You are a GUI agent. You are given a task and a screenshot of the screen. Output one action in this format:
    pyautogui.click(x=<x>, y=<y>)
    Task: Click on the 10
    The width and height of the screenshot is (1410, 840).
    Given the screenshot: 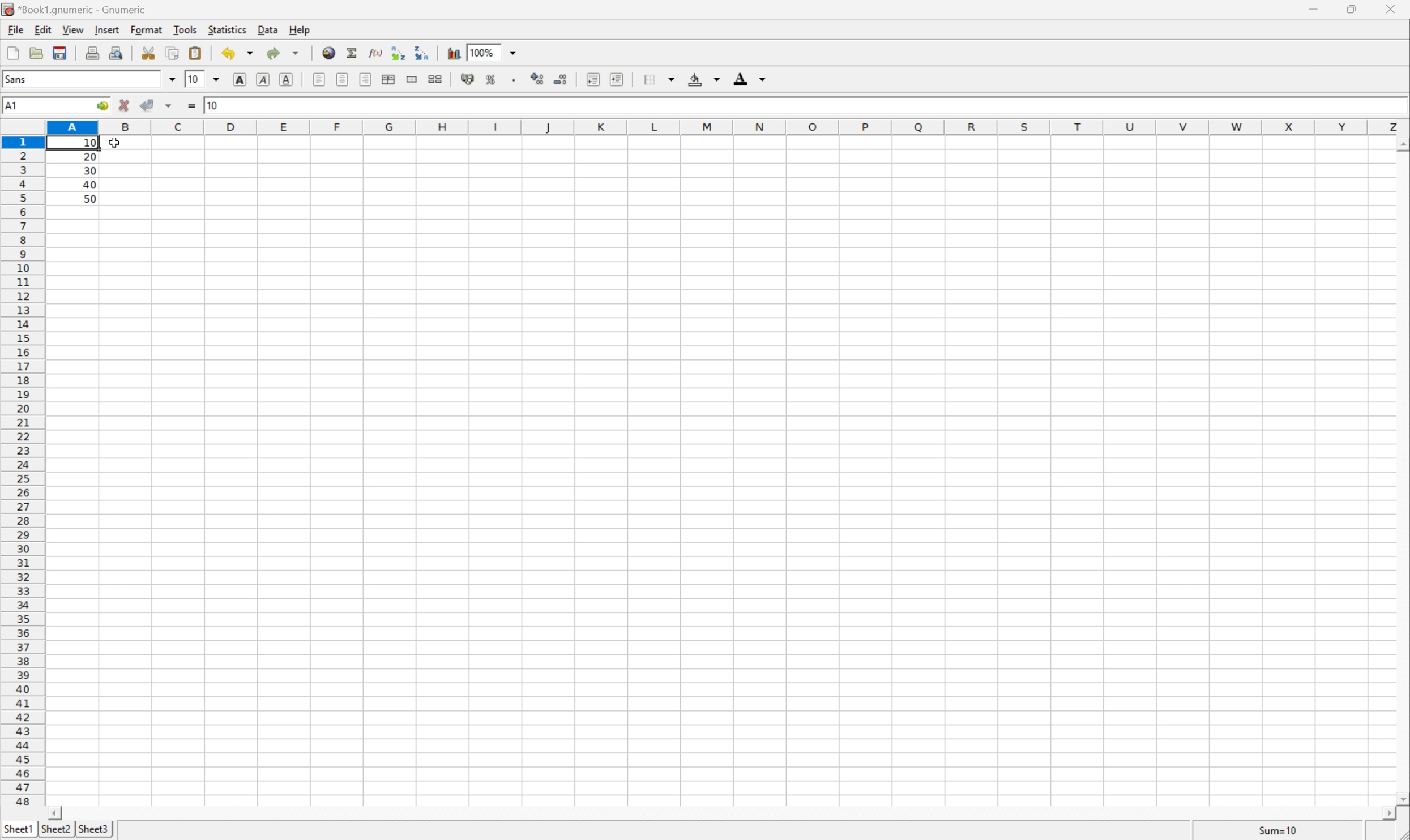 What is the action you would take?
    pyautogui.click(x=214, y=105)
    